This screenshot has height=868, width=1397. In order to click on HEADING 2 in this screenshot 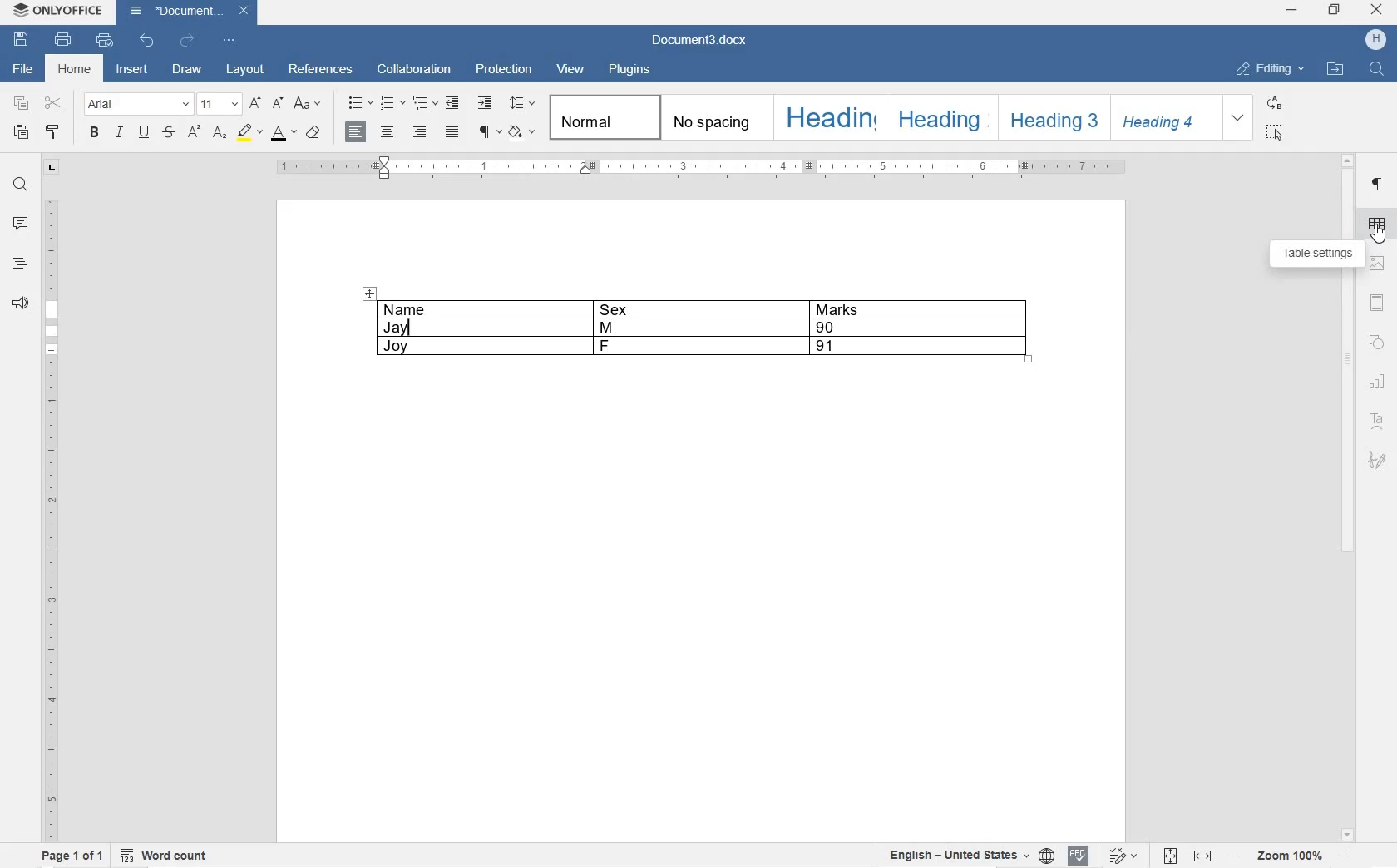, I will do `click(939, 118)`.